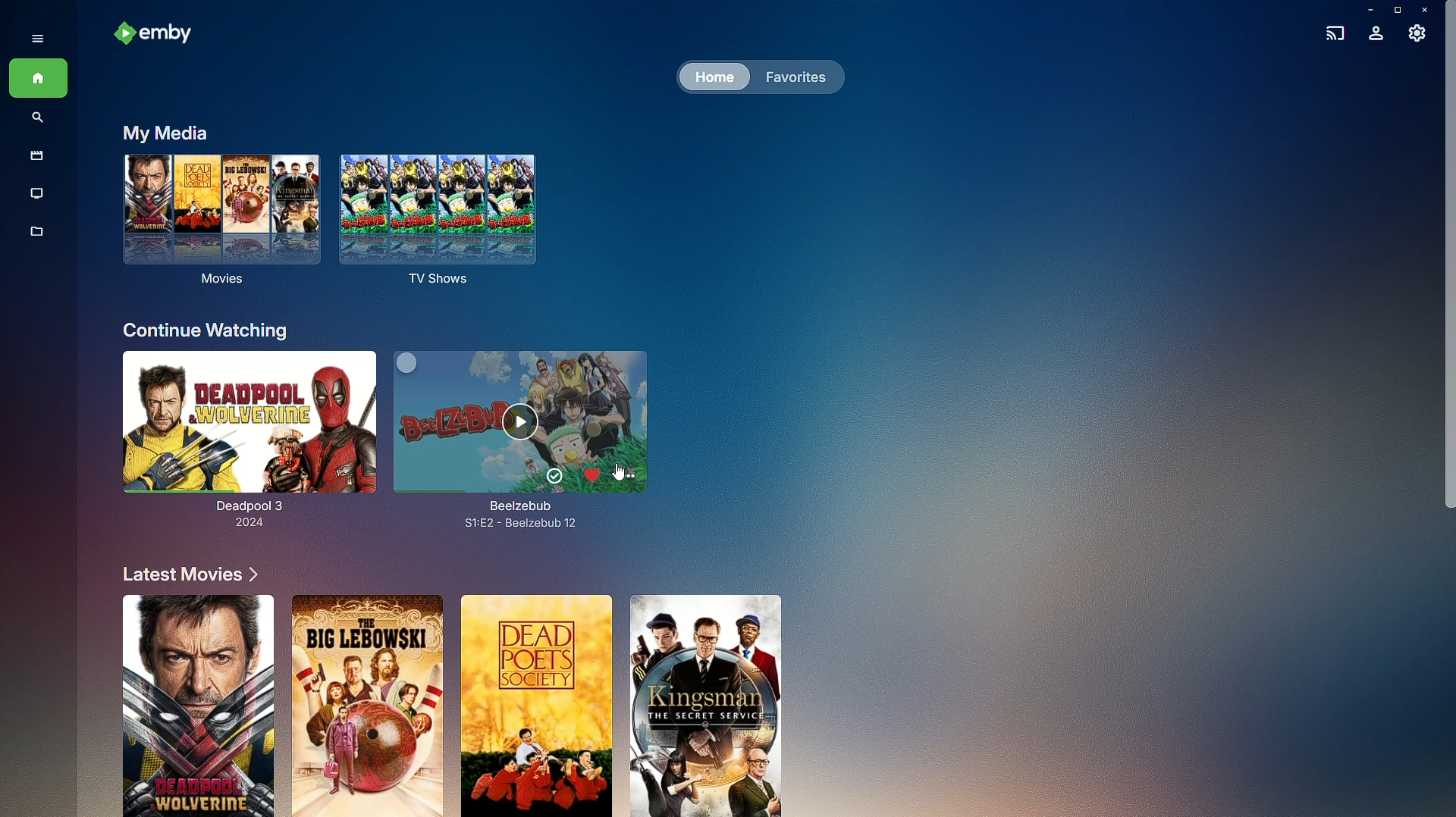 This screenshot has height=817, width=1456. I want to click on Close, so click(1427, 10).